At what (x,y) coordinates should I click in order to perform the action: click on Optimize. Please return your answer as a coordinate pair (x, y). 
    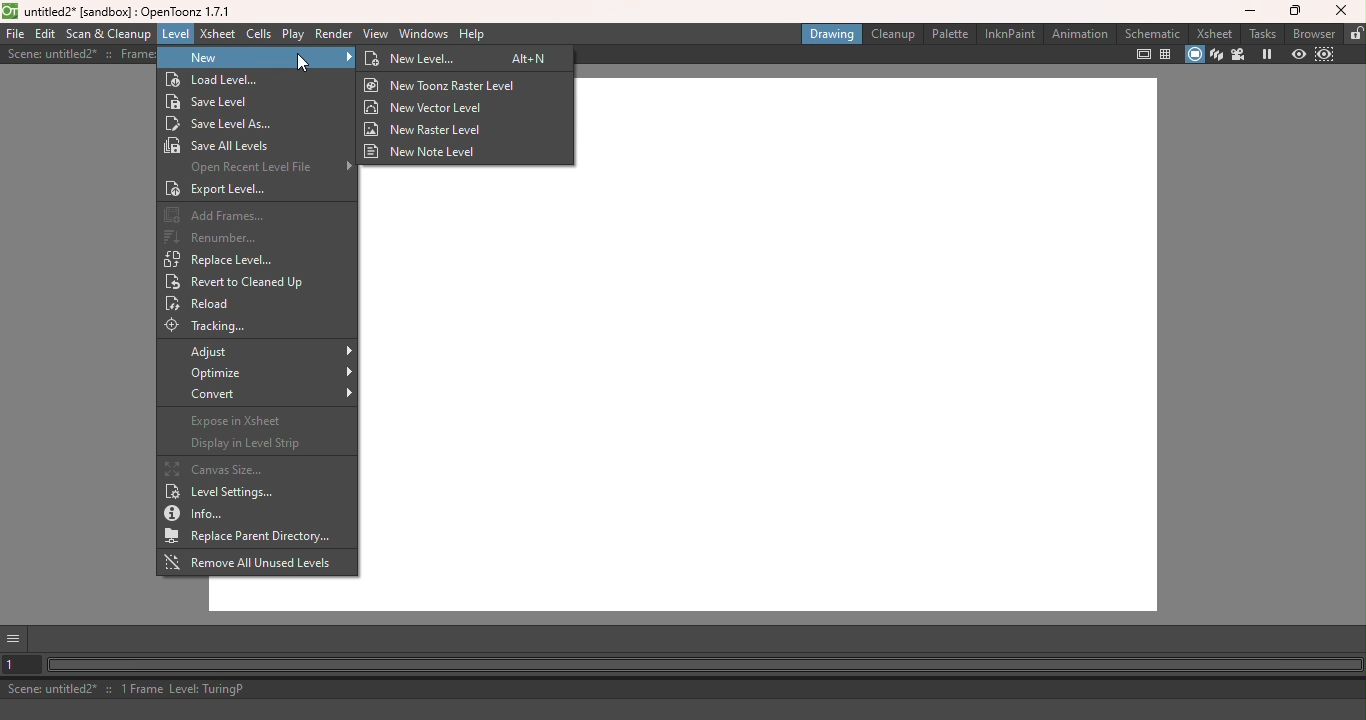
    Looking at the image, I should click on (266, 374).